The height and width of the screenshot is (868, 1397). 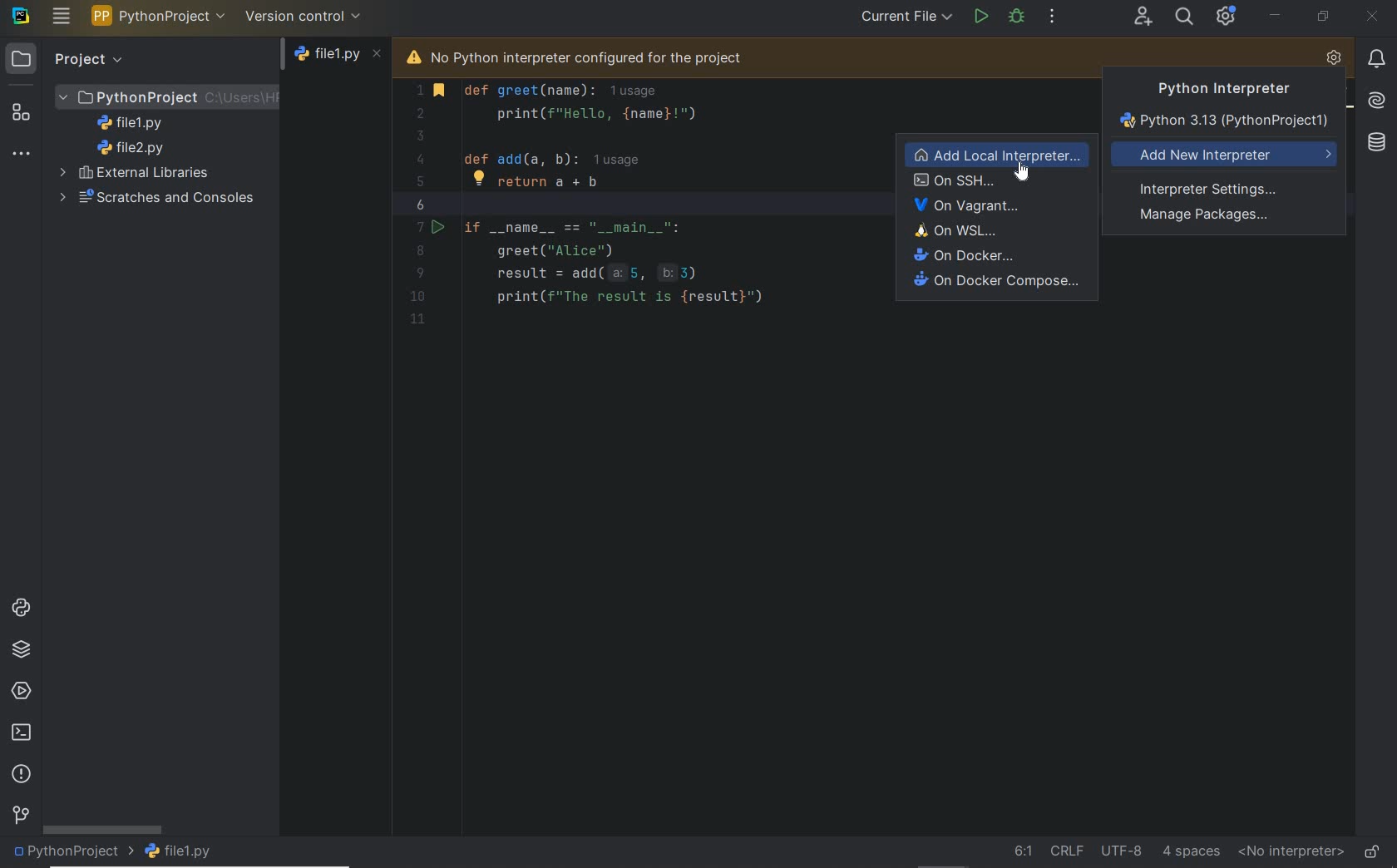 I want to click on more actions, so click(x=1053, y=17).